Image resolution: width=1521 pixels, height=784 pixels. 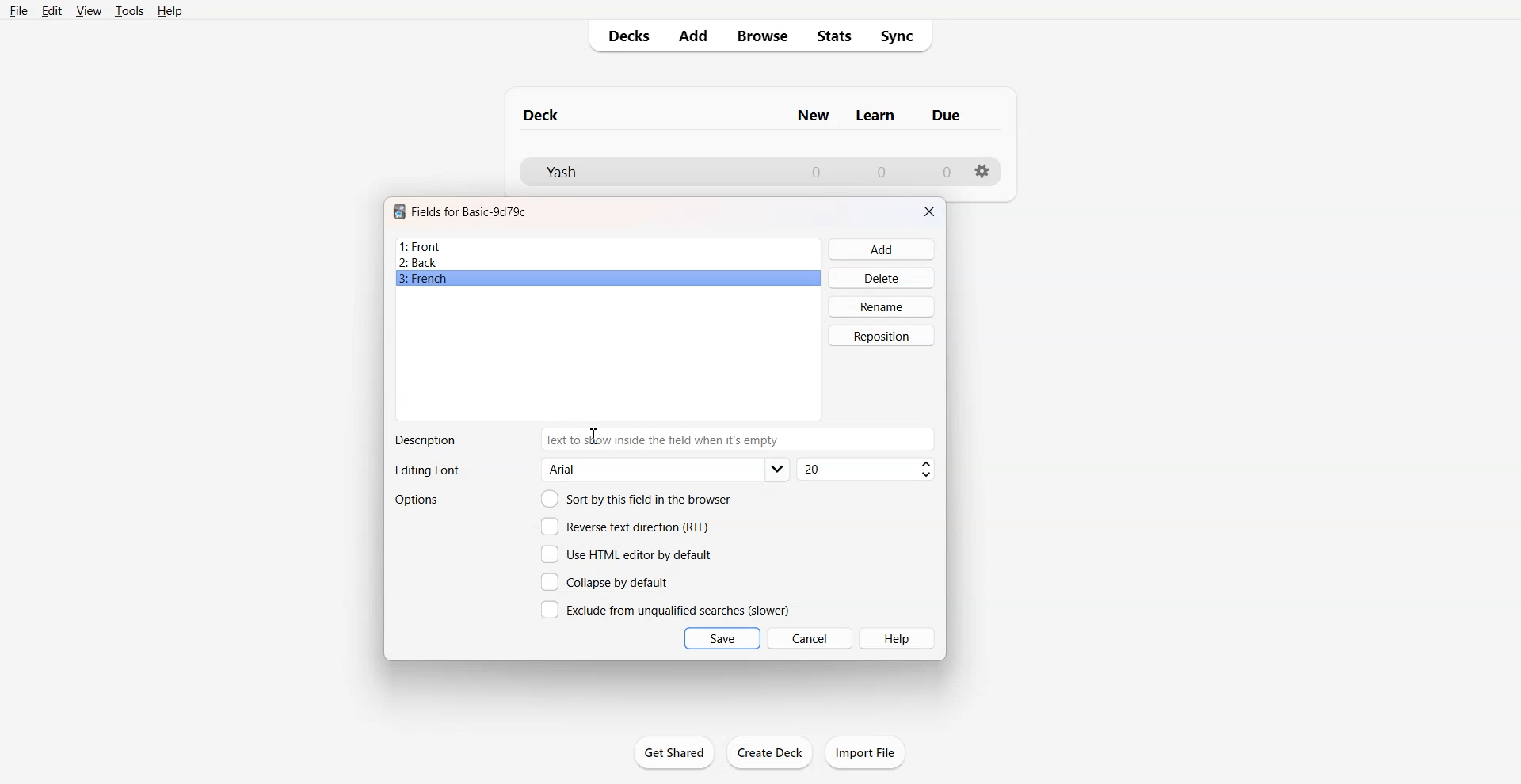 I want to click on Number of due cards, so click(x=947, y=172).